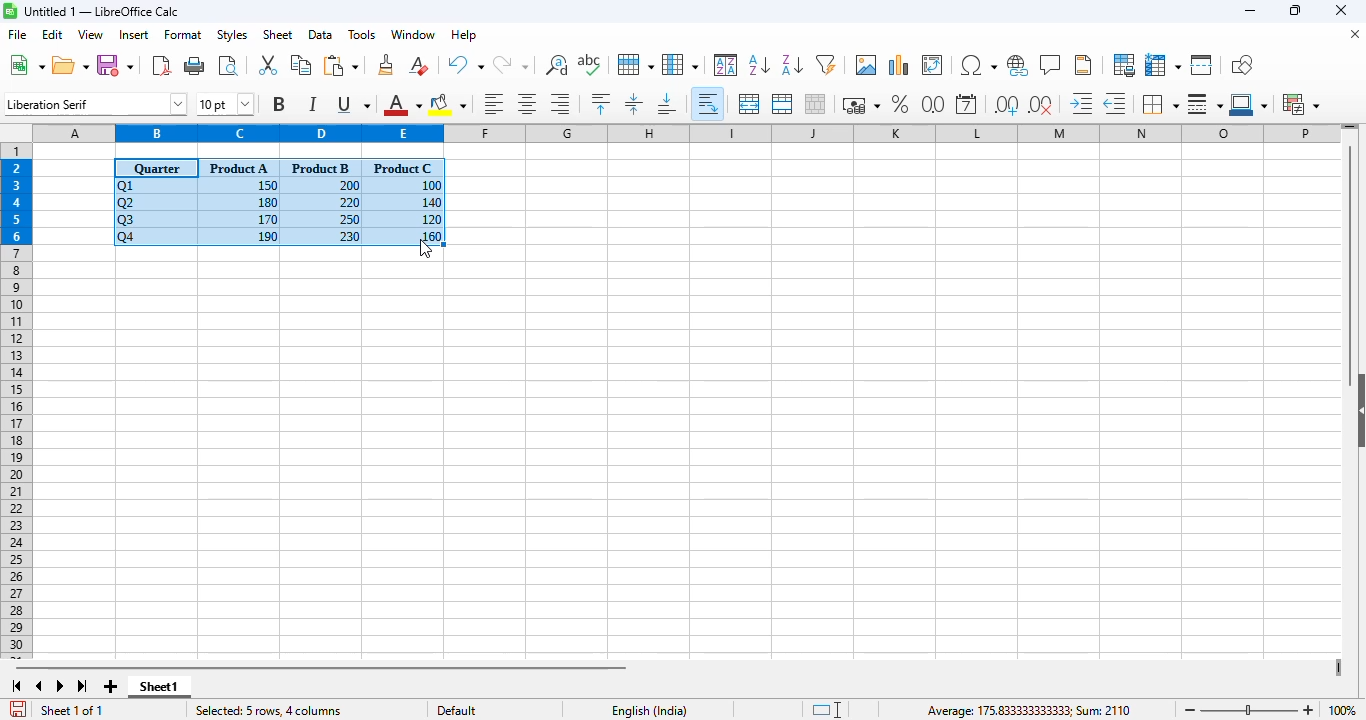 The image size is (1366, 720). Describe the element at coordinates (320, 34) in the screenshot. I see `data` at that location.